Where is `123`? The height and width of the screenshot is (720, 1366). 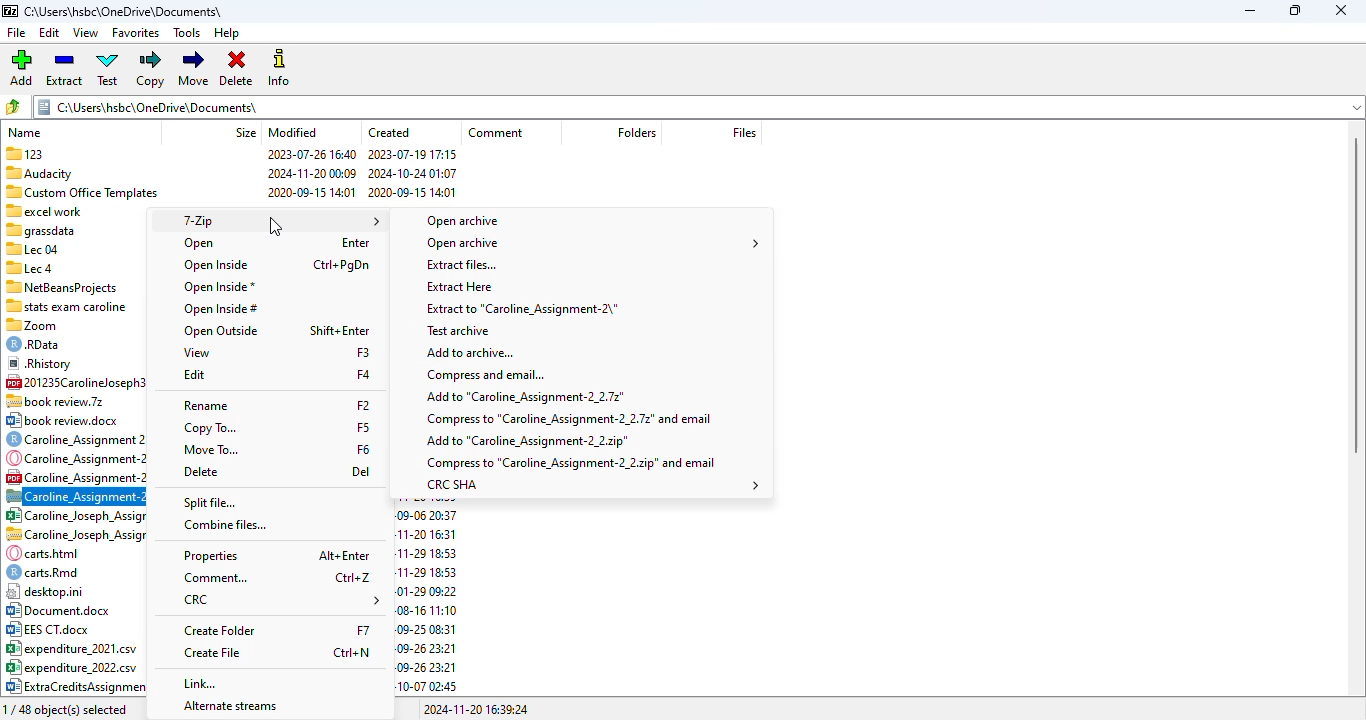 123 is located at coordinates (233, 153).